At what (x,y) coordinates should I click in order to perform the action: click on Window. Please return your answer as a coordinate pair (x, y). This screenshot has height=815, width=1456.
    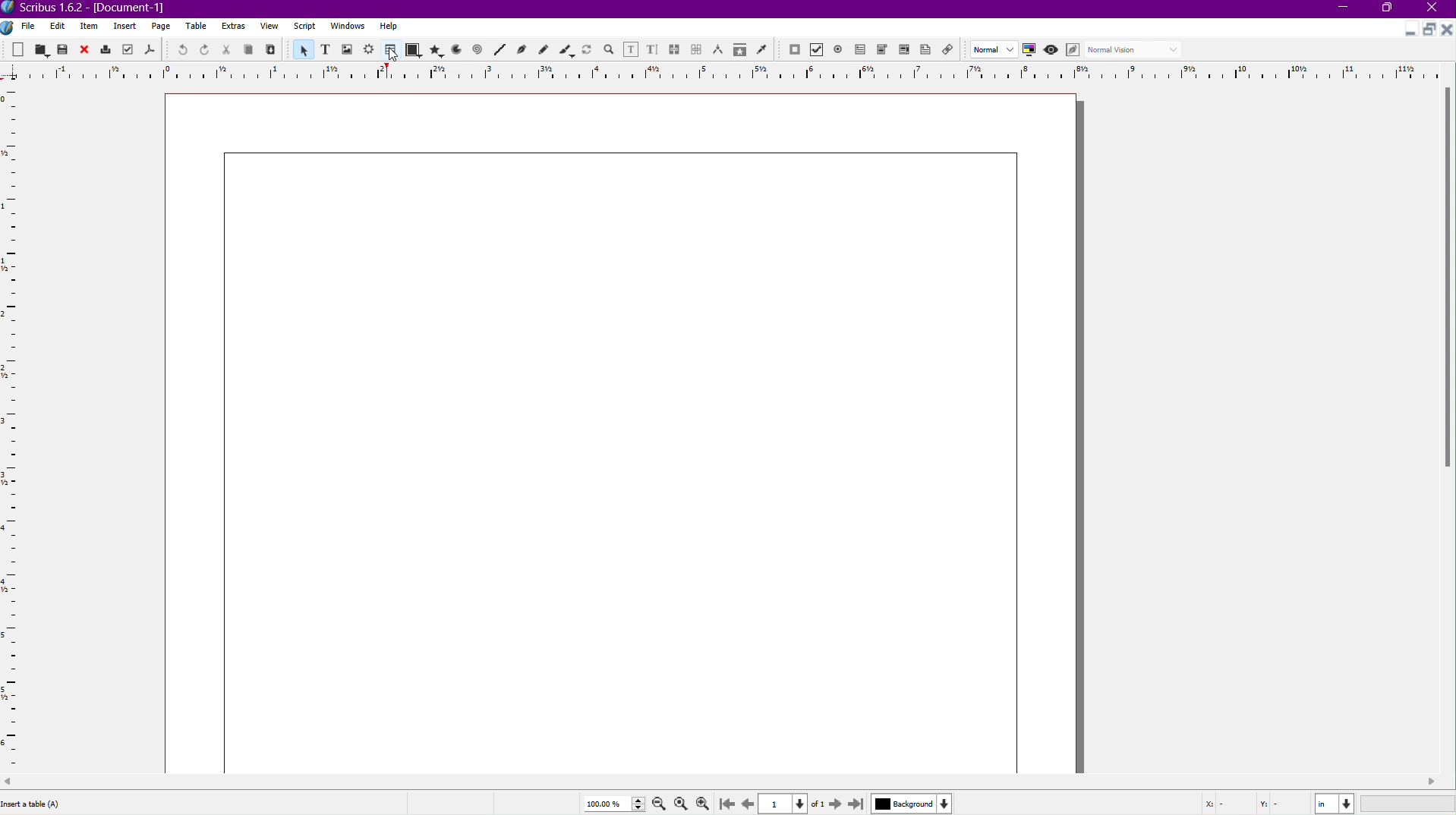
    Looking at the image, I should click on (345, 28).